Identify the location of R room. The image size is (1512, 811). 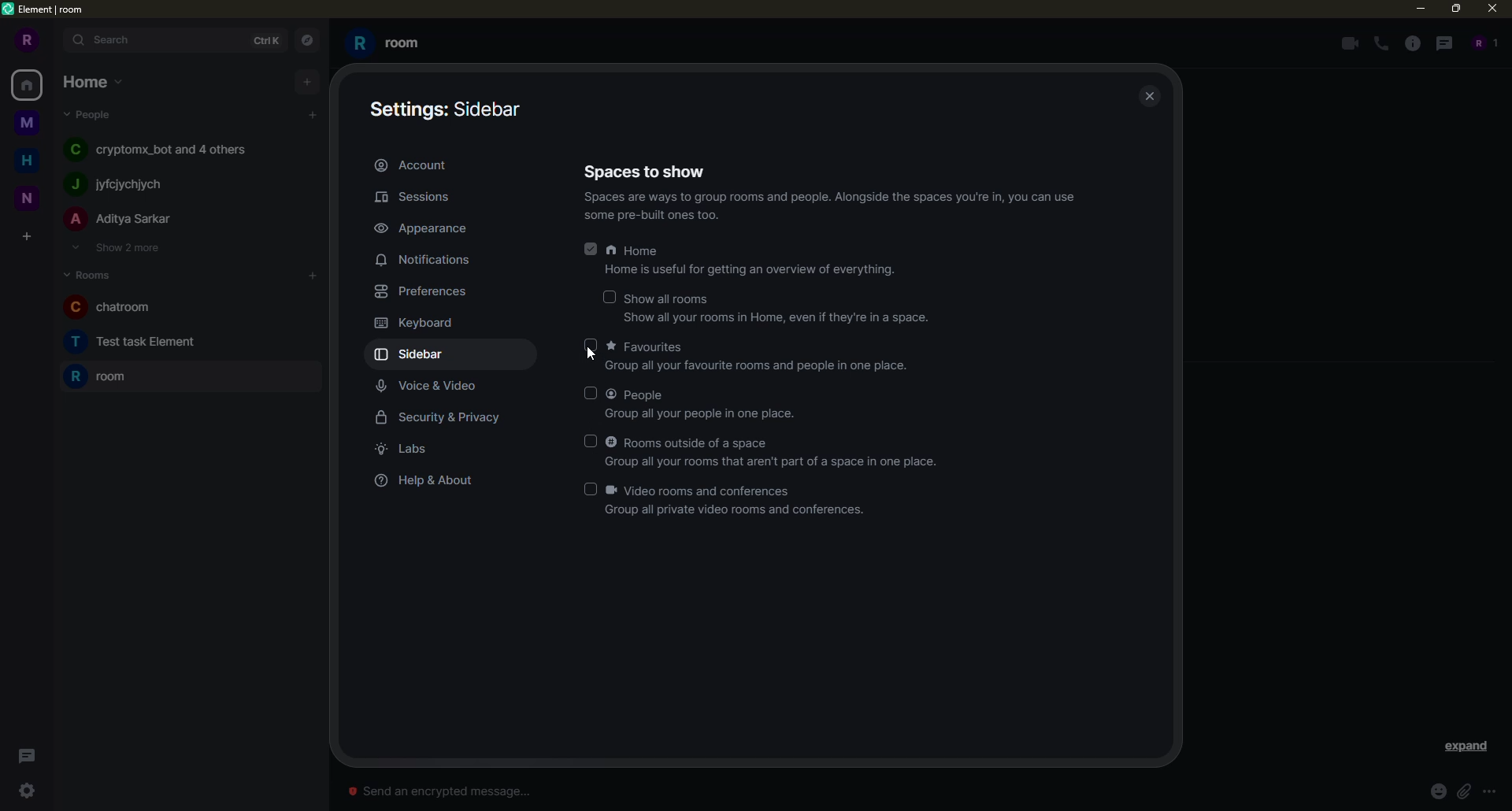
(101, 379).